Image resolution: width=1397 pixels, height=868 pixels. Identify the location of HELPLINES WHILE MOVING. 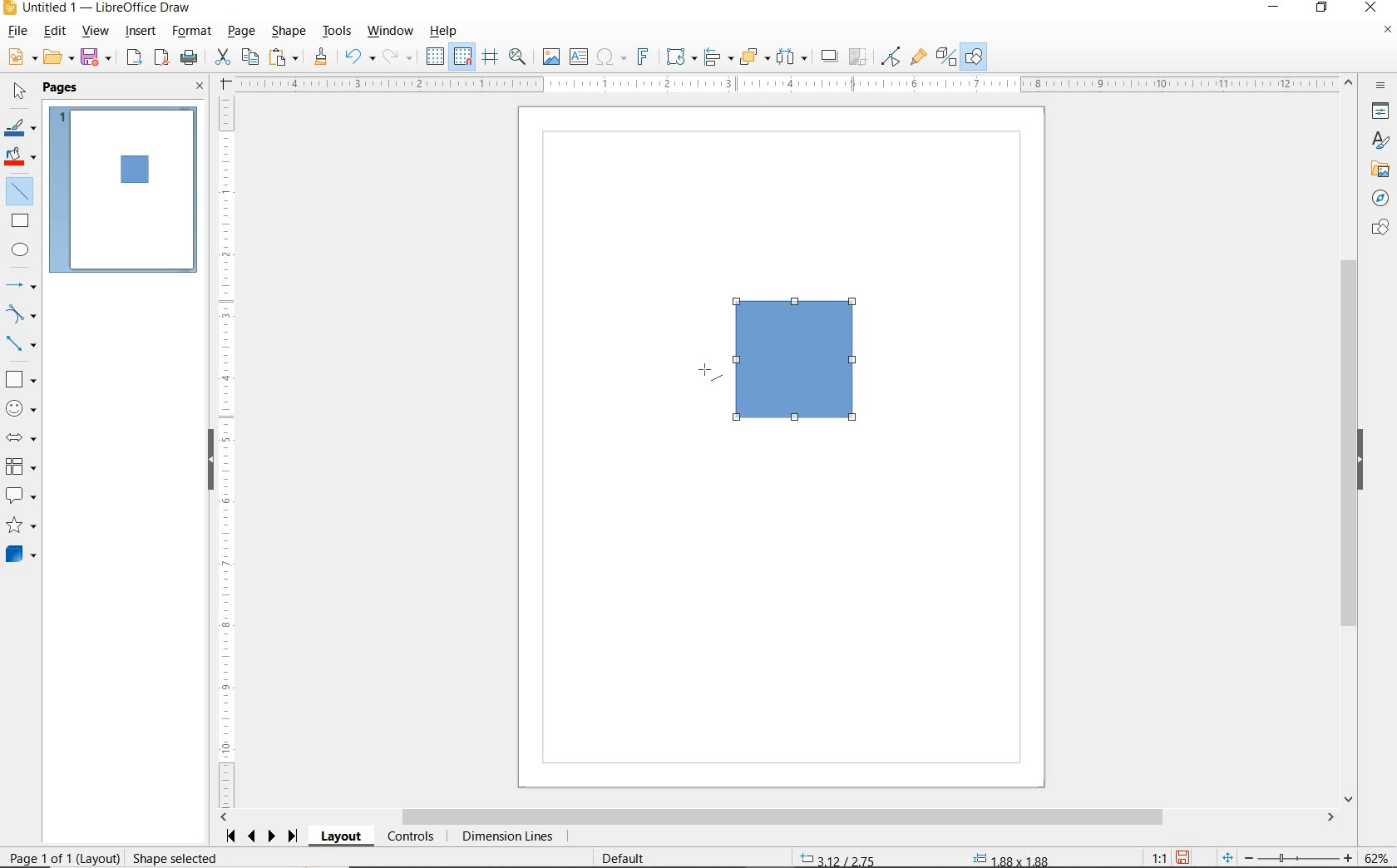
(493, 59).